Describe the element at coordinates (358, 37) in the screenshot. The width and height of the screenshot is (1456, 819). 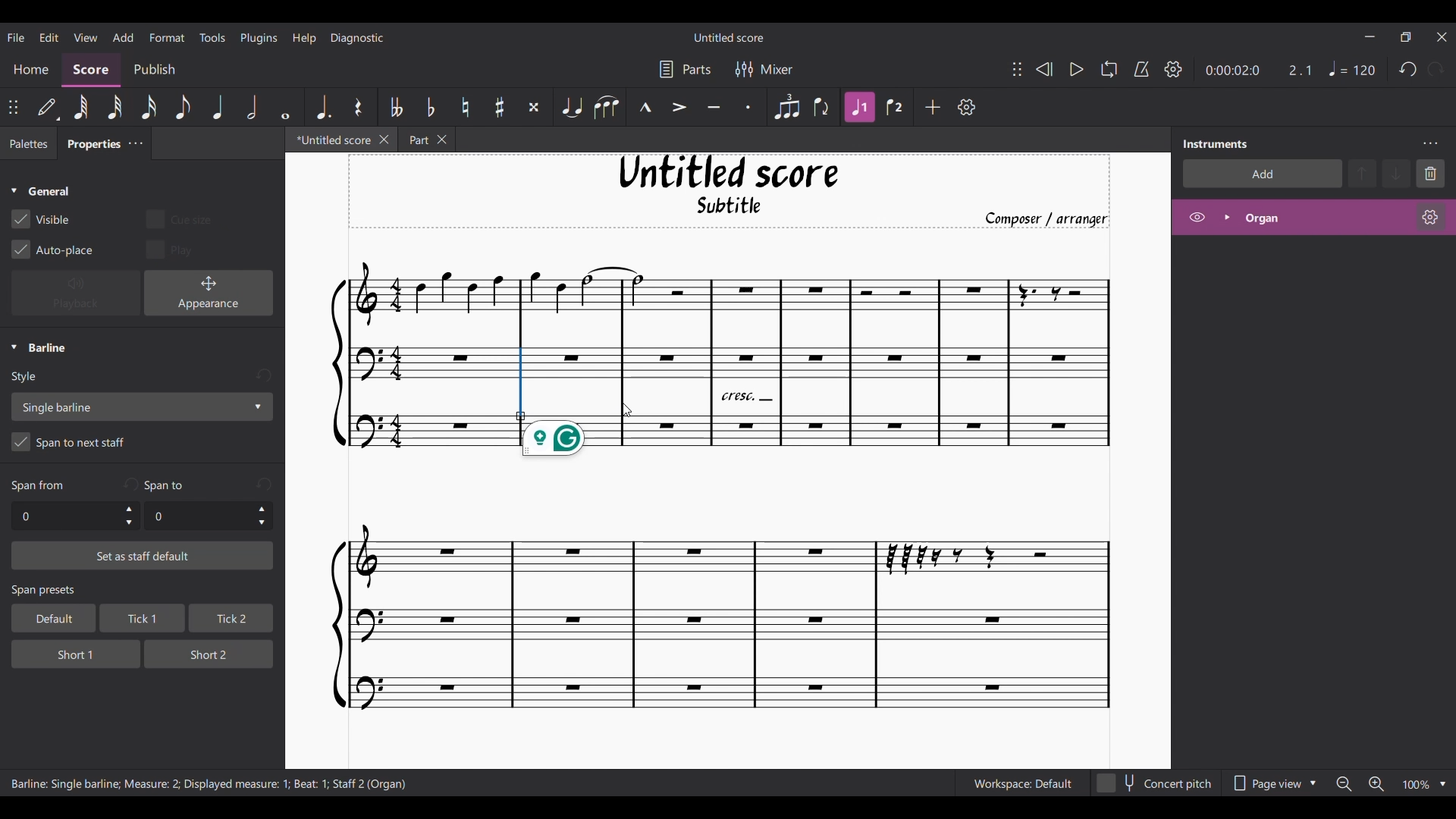
I see `Diagnostic menu` at that location.